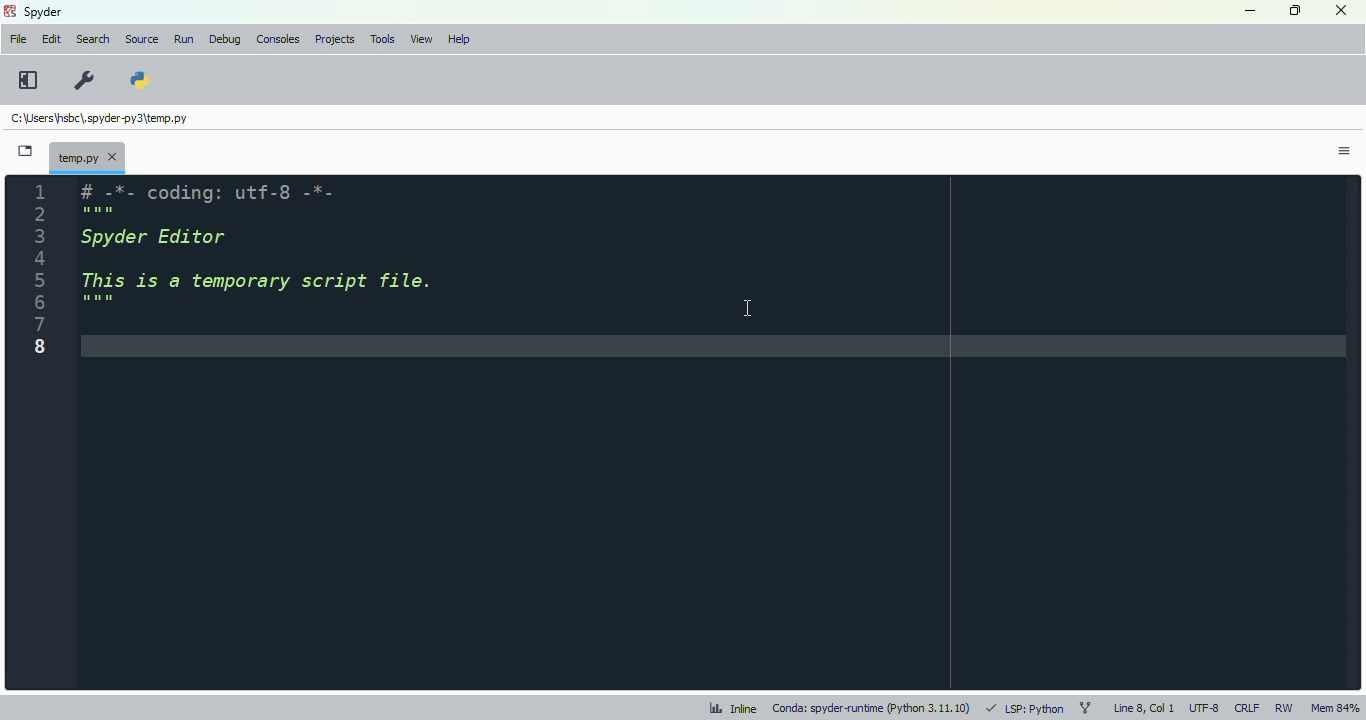 This screenshot has width=1366, height=720. Describe the element at coordinates (94, 39) in the screenshot. I see `search` at that location.